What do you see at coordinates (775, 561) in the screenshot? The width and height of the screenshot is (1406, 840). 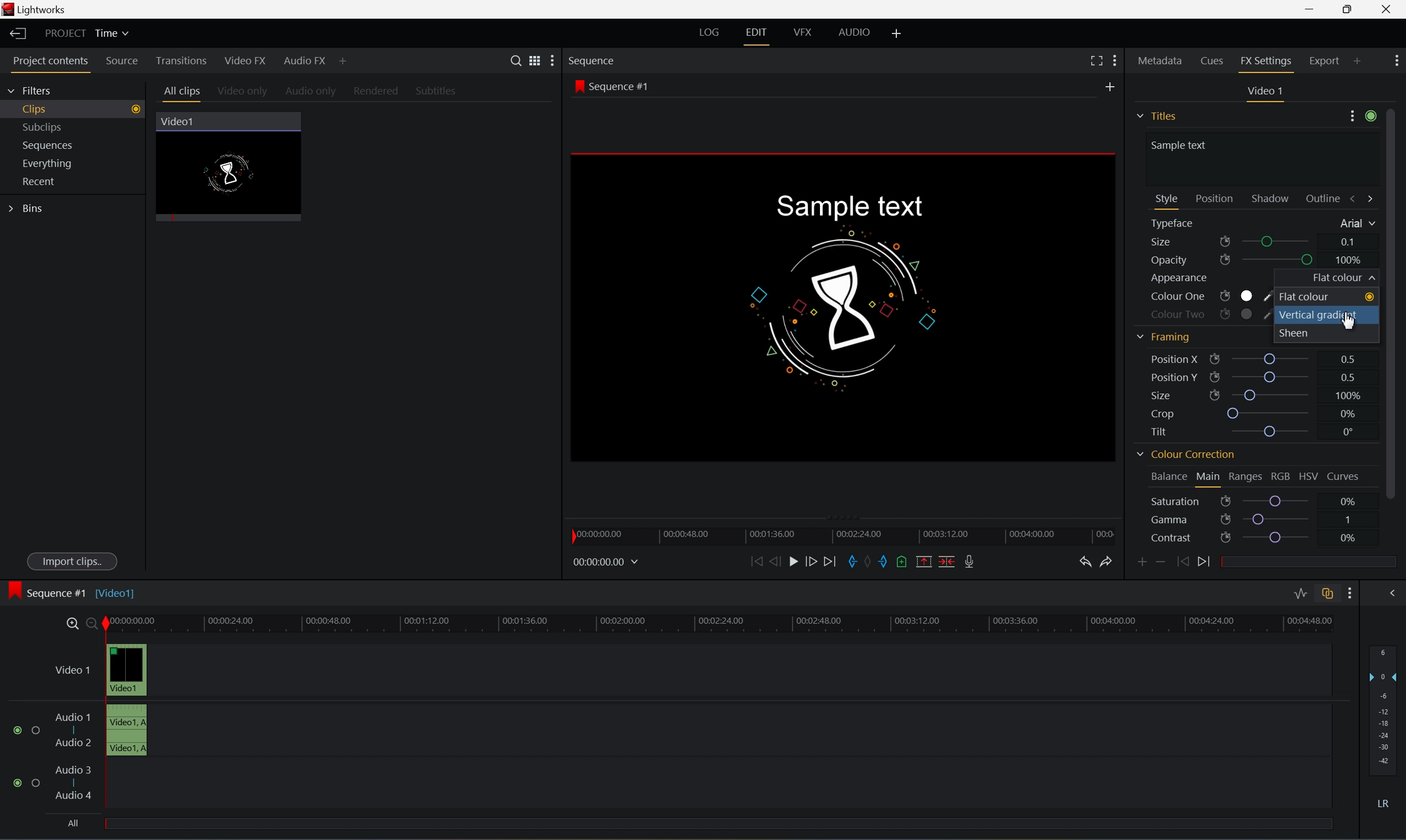 I see `move one frame back` at bounding box center [775, 561].